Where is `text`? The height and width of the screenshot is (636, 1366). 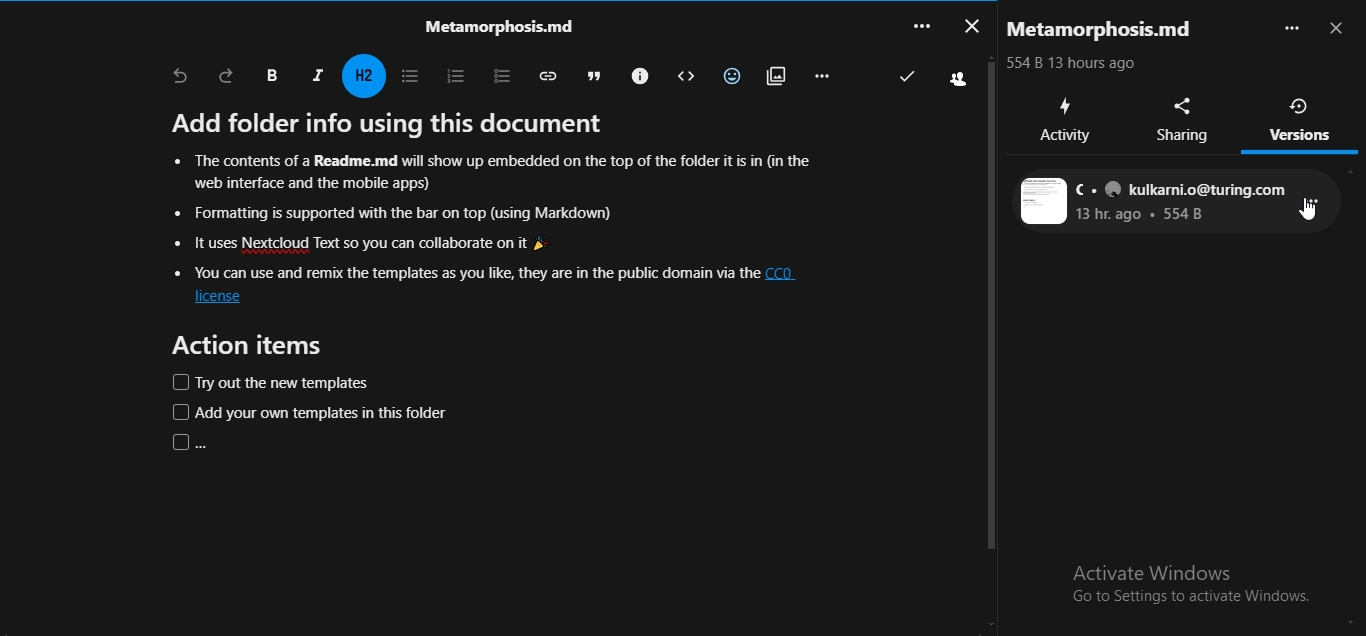
text is located at coordinates (1106, 30).